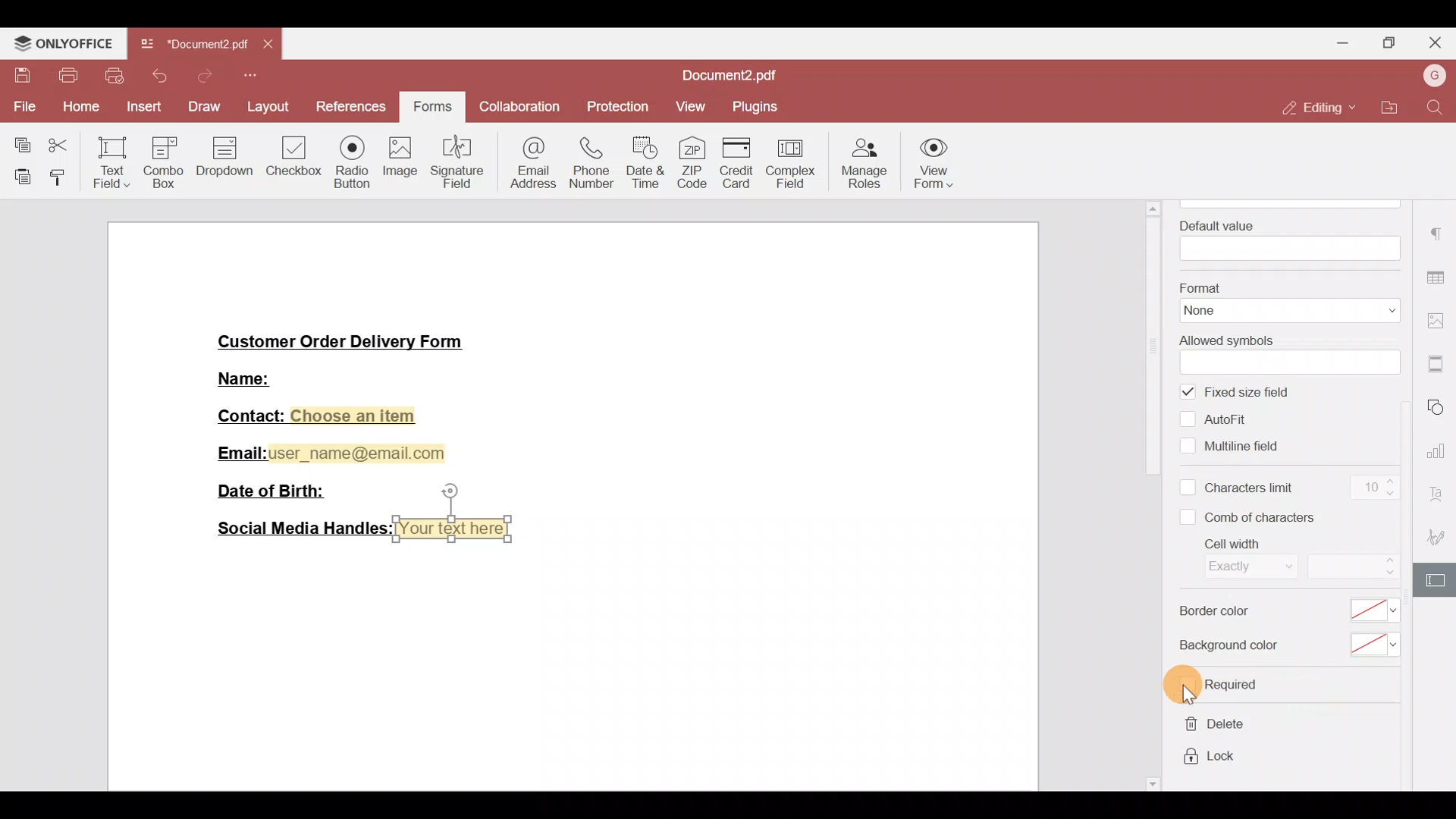 This screenshot has height=819, width=1456. I want to click on Scroll bar, so click(1156, 494).